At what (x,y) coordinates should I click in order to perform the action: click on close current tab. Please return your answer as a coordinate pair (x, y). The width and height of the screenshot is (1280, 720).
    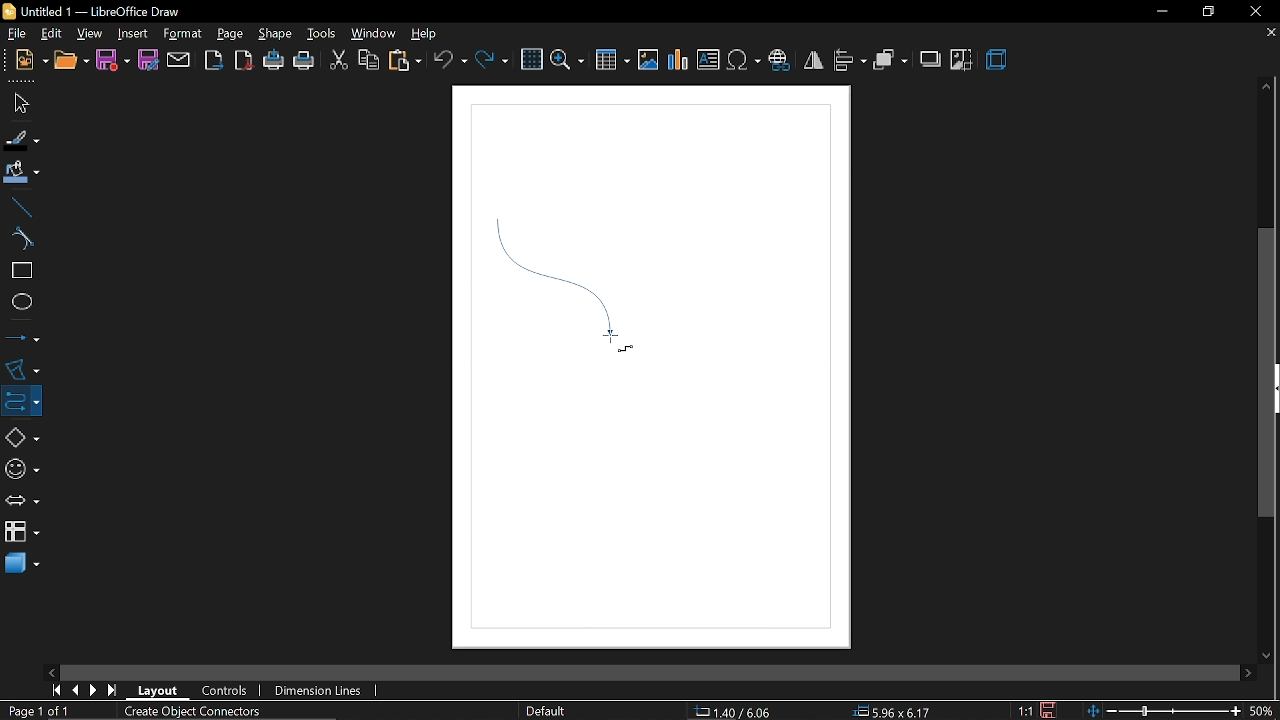
    Looking at the image, I should click on (1270, 37).